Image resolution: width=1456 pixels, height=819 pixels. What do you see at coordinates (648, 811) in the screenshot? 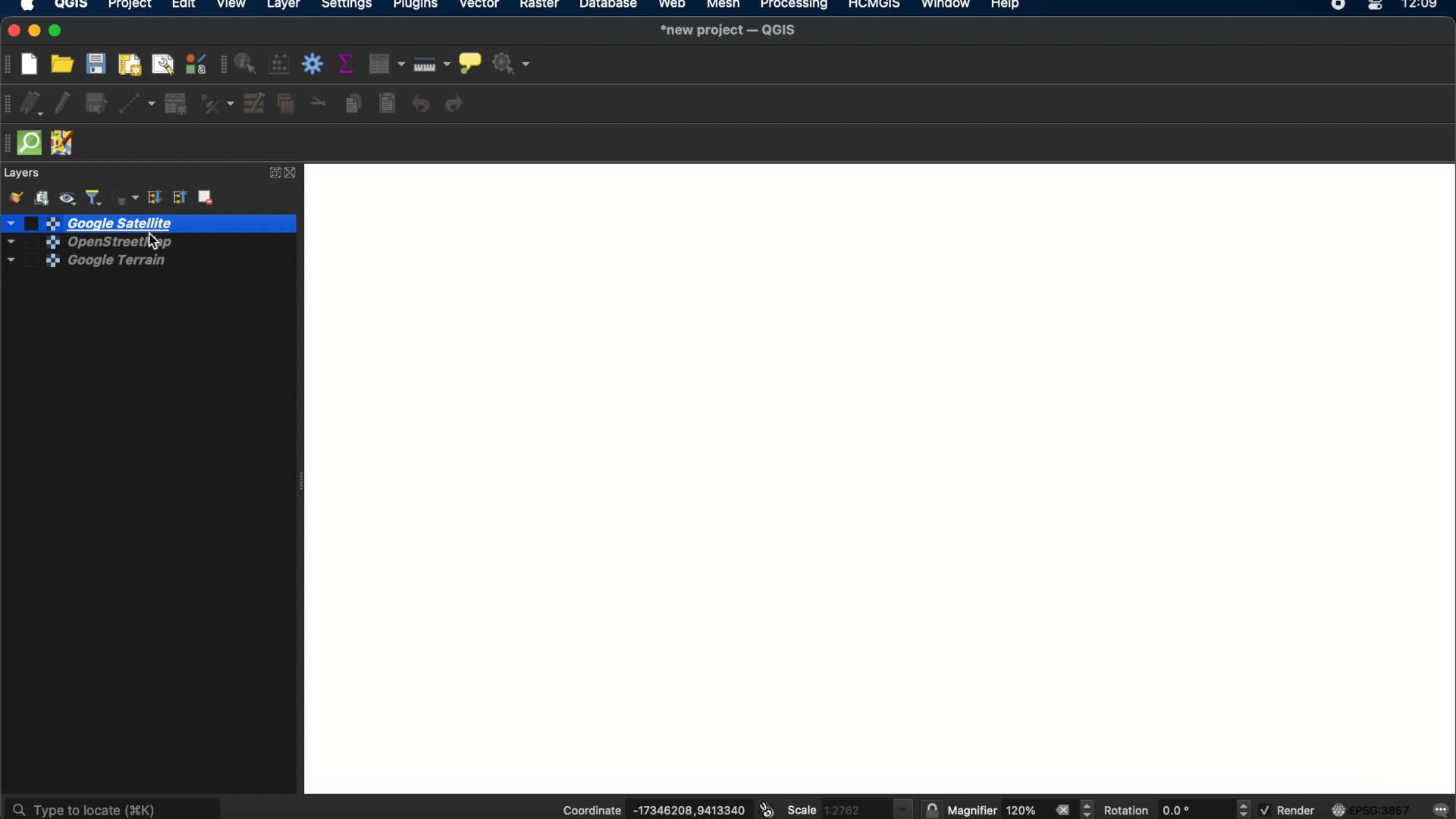
I see `coordinate -17346208,9413340` at bounding box center [648, 811].